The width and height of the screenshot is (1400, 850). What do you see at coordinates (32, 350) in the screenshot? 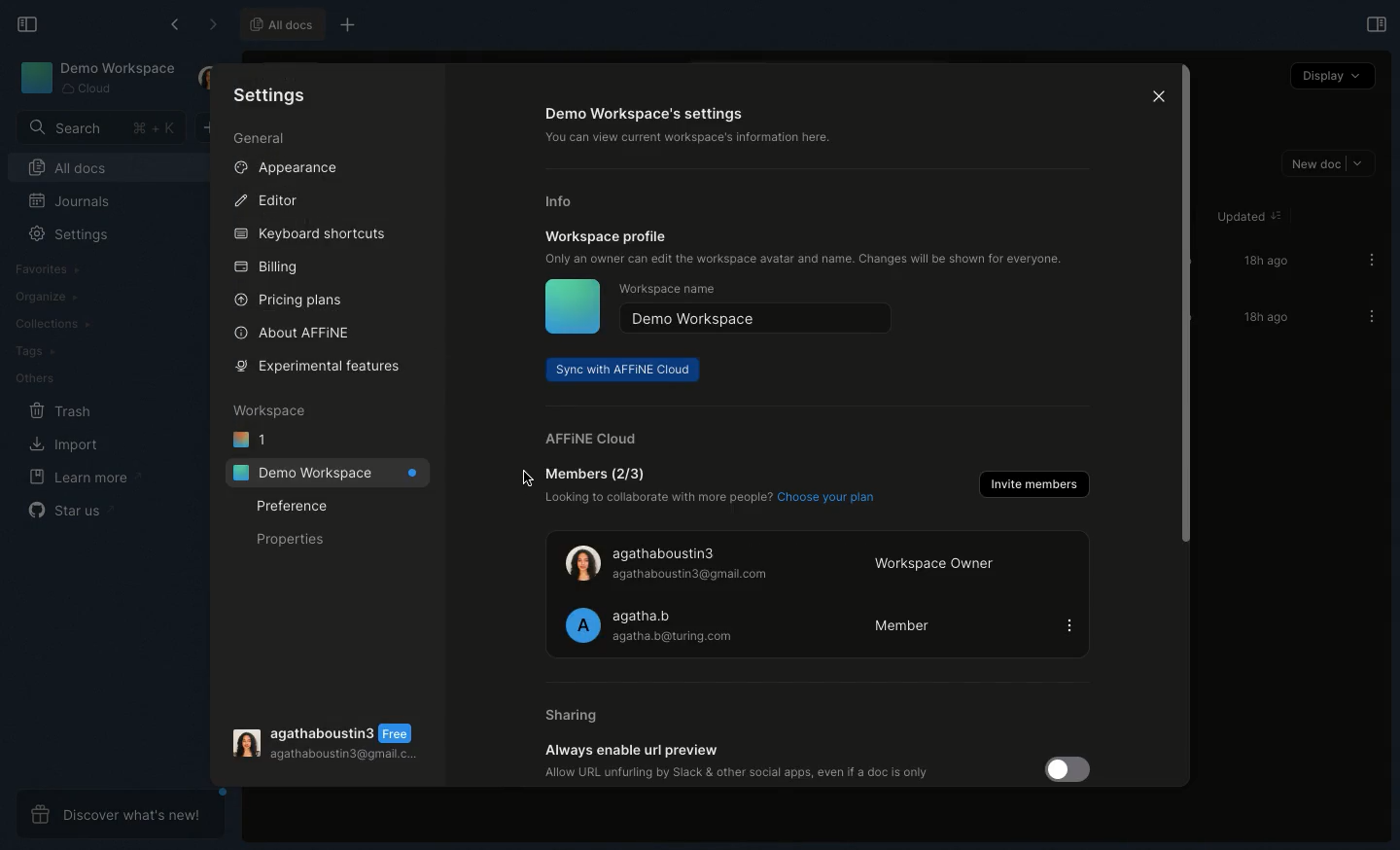
I see `Tags` at bounding box center [32, 350].